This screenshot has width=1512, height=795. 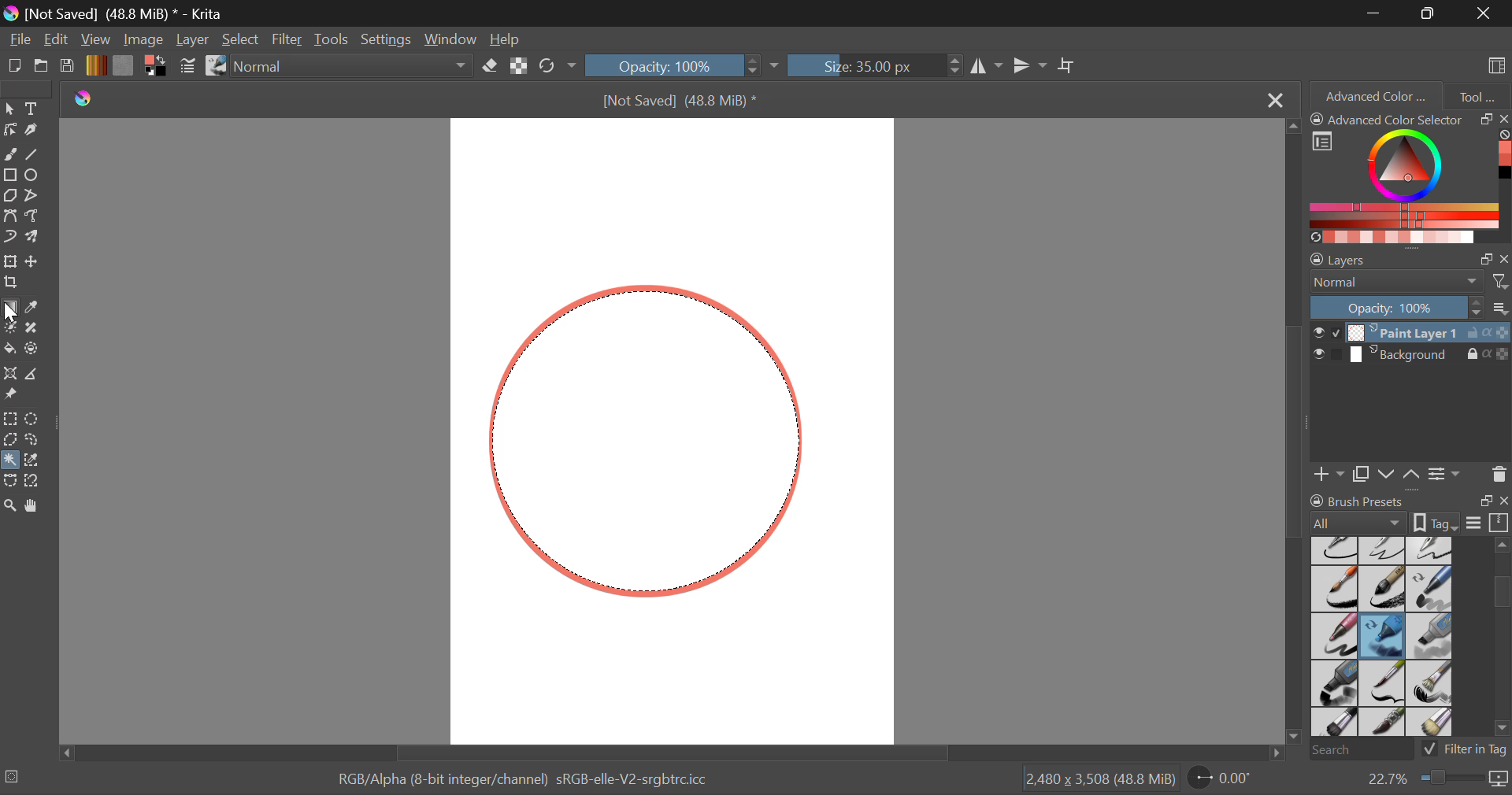 I want to click on Colorize Mask Tool, so click(x=11, y=329).